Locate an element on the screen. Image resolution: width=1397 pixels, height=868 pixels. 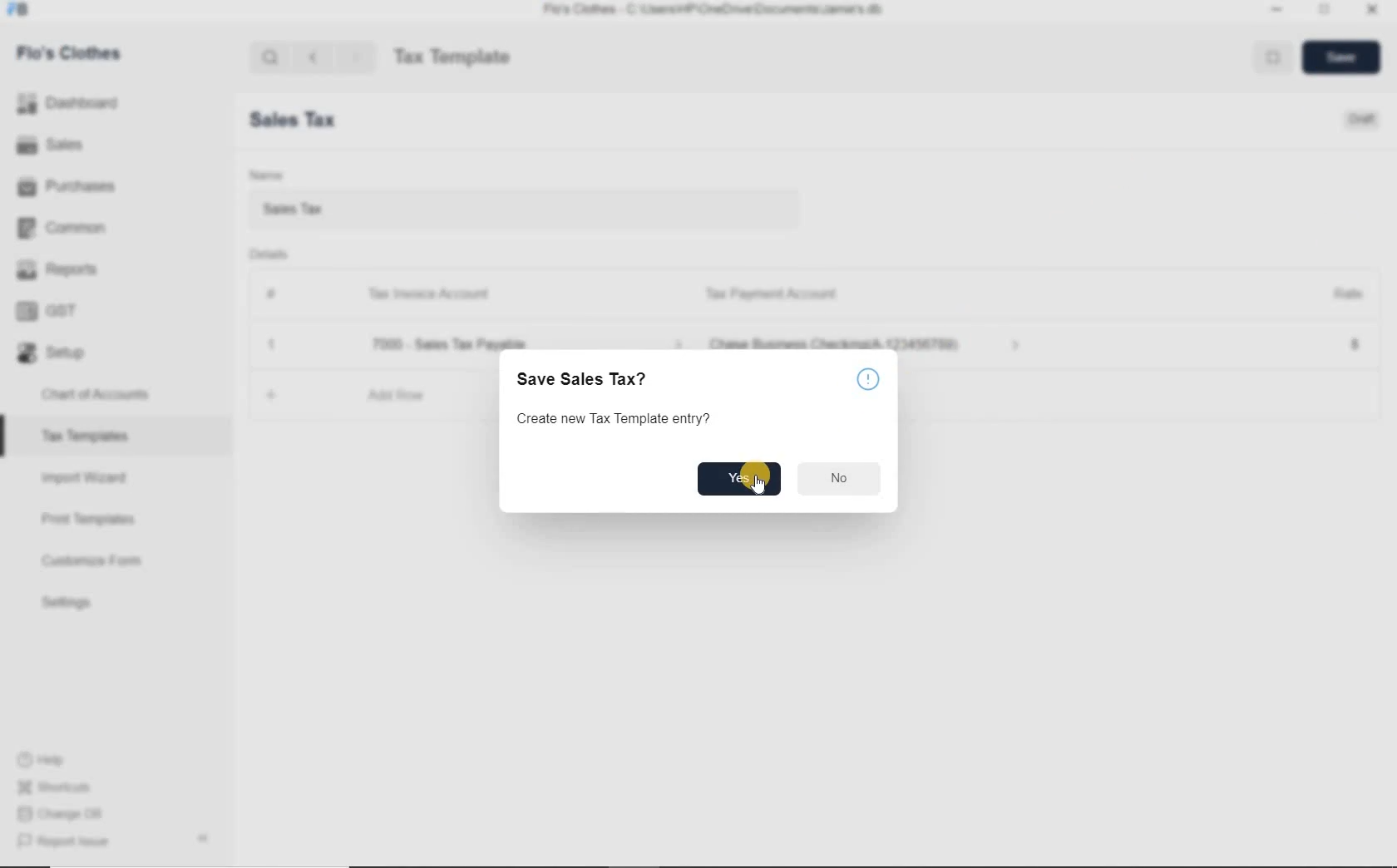
Create new Tax Template entry? is located at coordinates (613, 417).